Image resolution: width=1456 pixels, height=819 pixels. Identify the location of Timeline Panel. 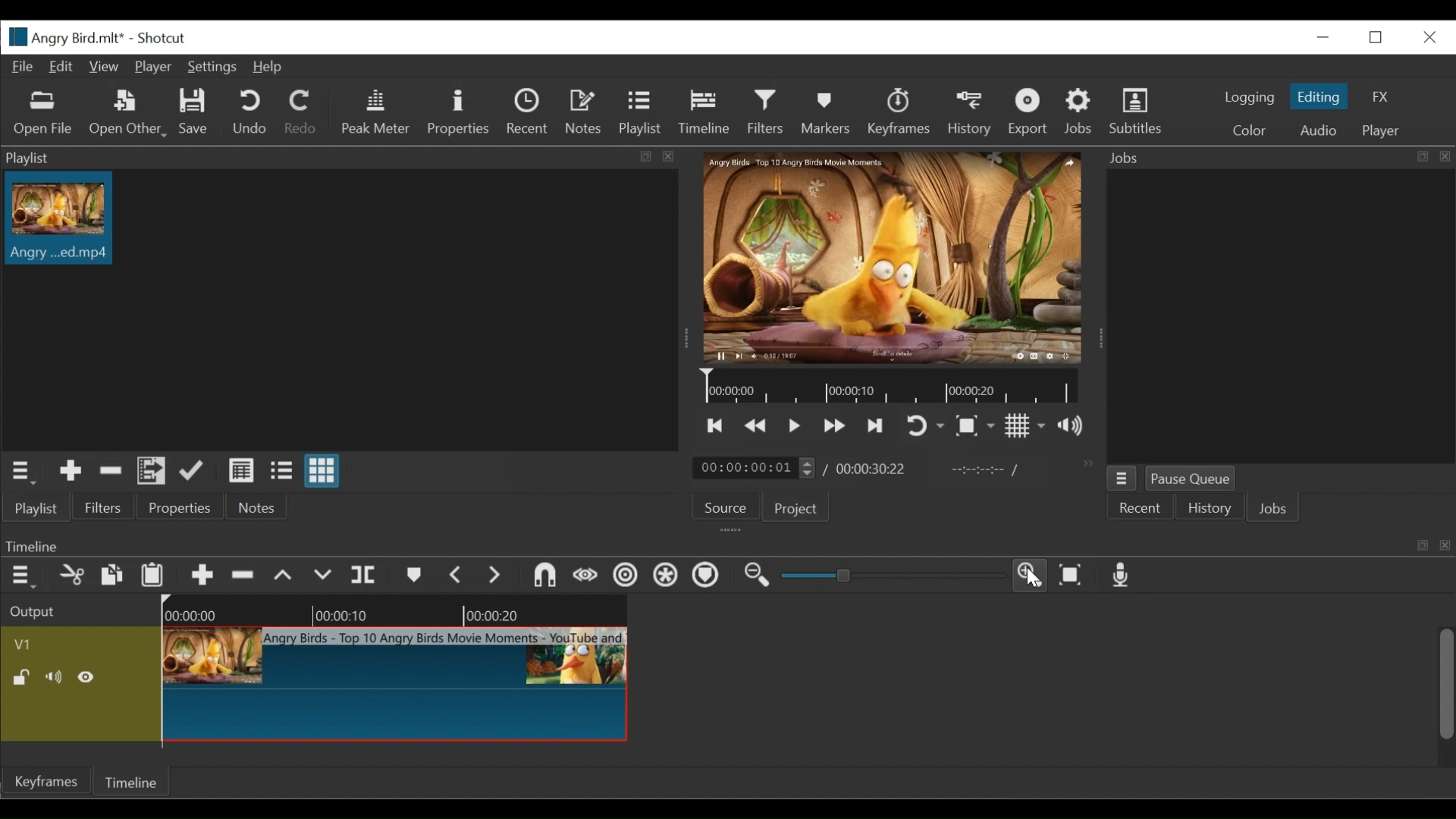
(723, 544).